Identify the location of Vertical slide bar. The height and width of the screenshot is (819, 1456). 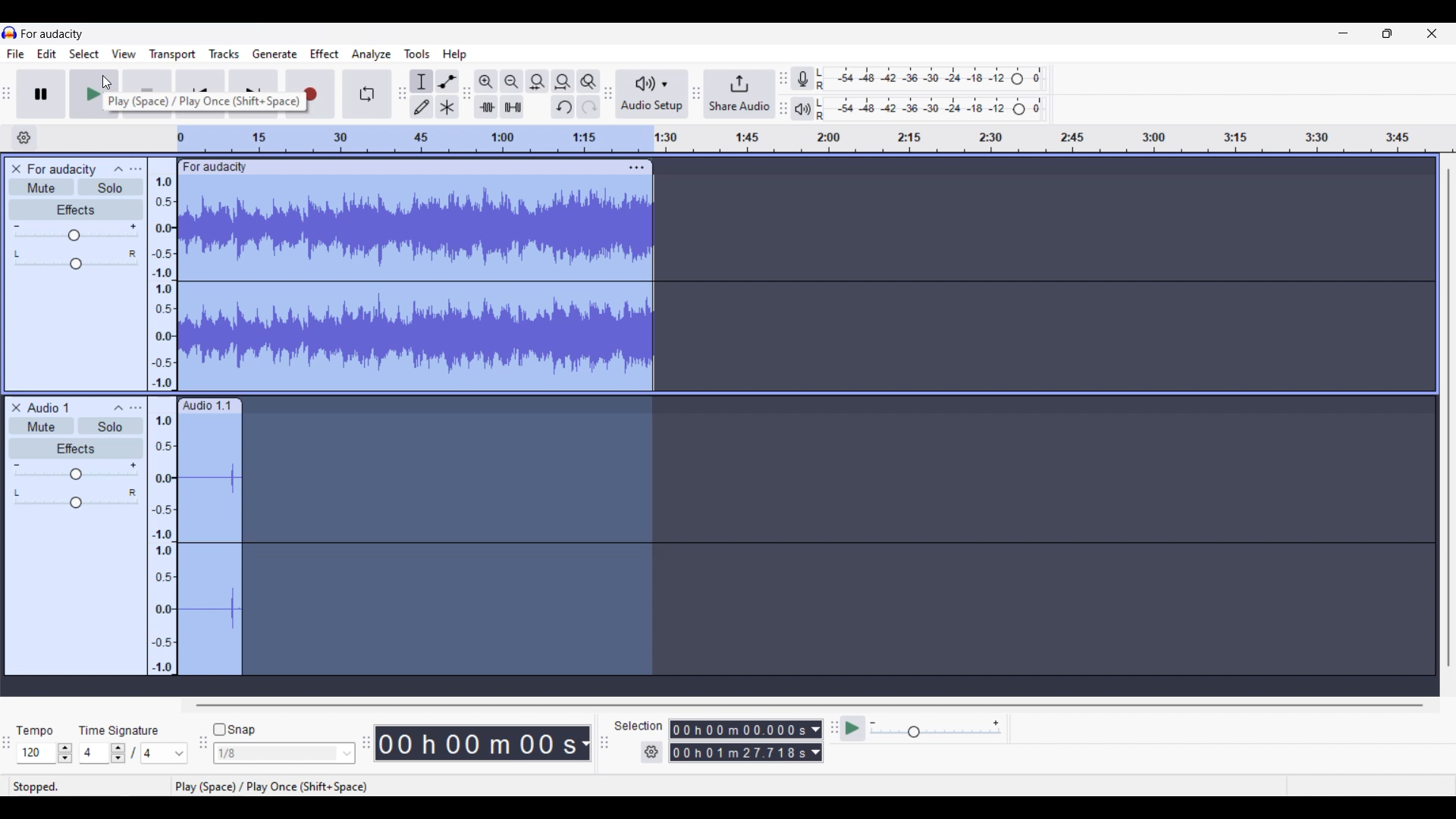
(1449, 417).